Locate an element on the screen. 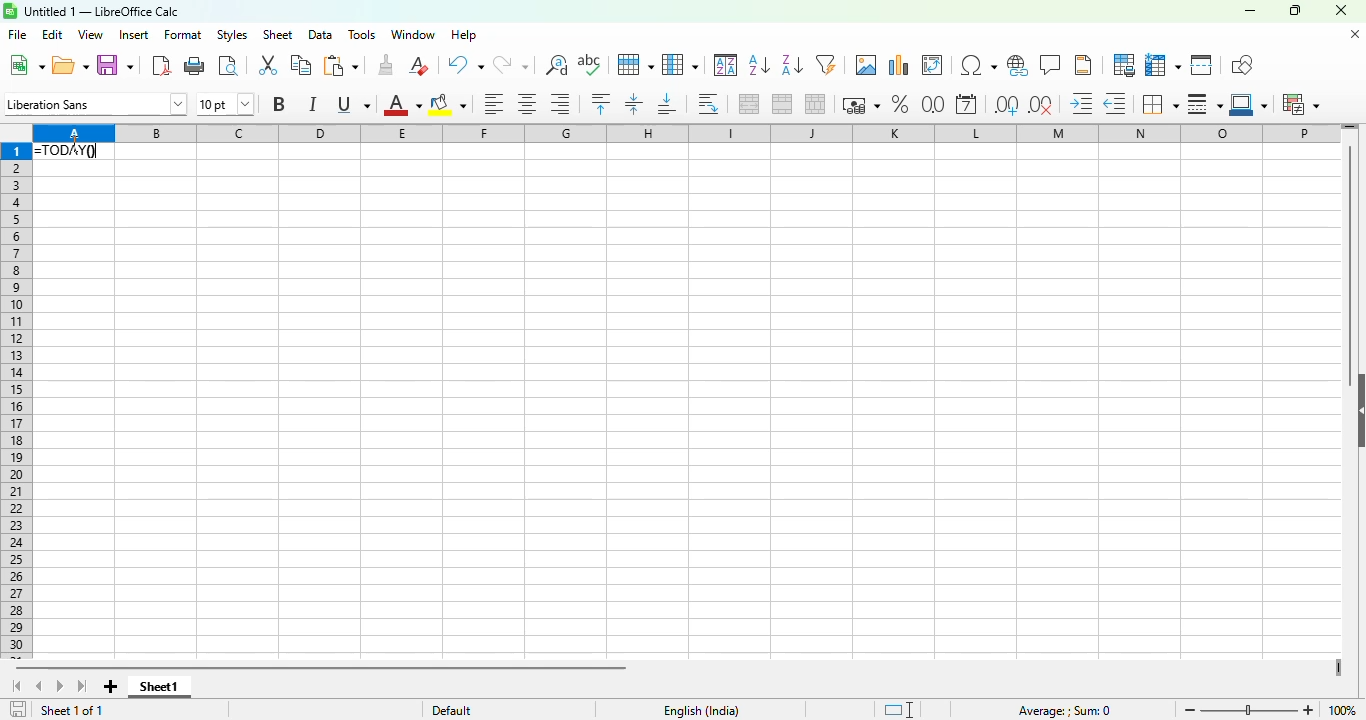 This screenshot has height=720, width=1366. sort descending is located at coordinates (791, 66).